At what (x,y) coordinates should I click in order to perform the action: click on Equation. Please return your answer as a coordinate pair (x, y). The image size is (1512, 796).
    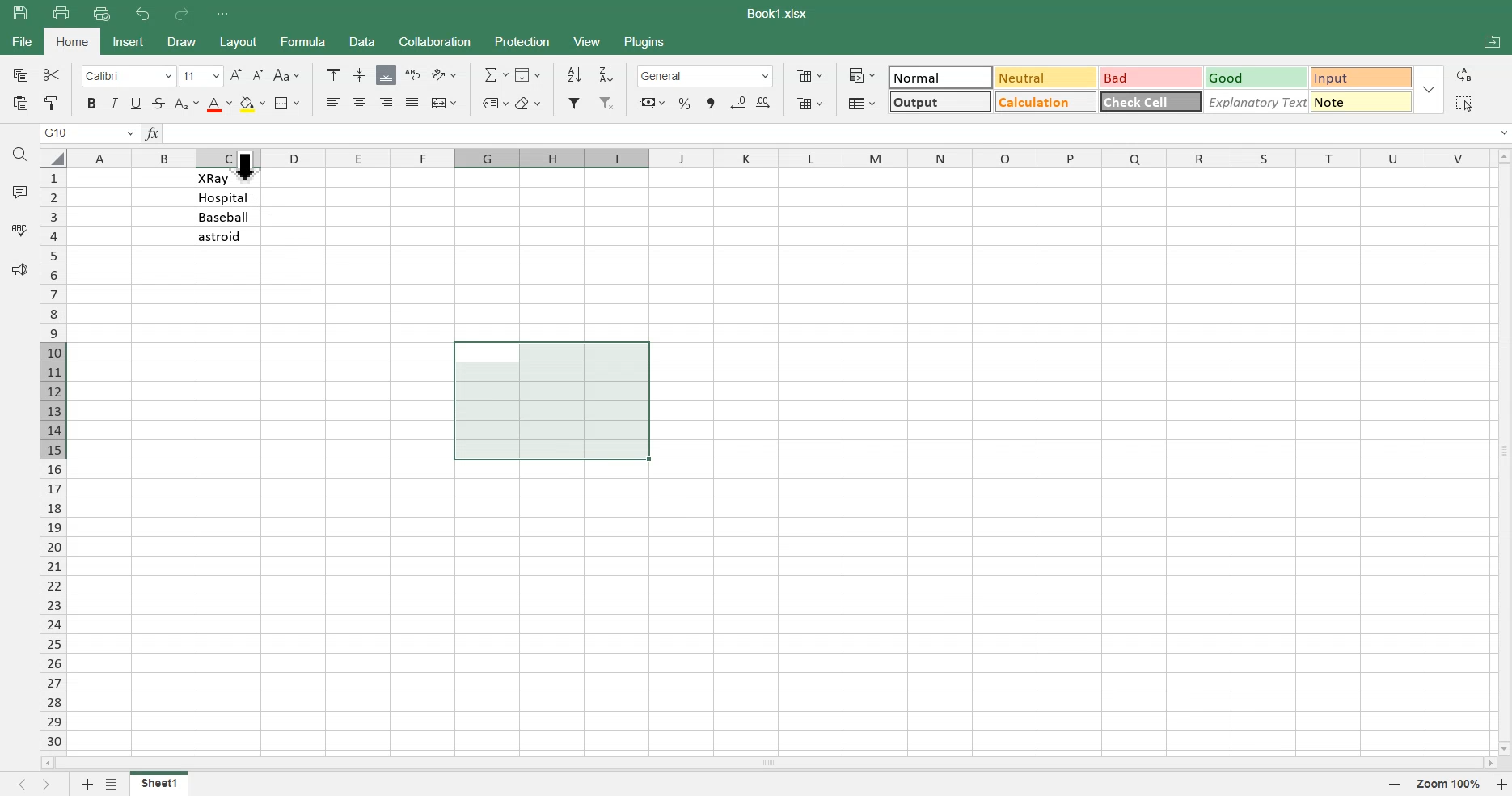
    Looking at the image, I should click on (495, 74).